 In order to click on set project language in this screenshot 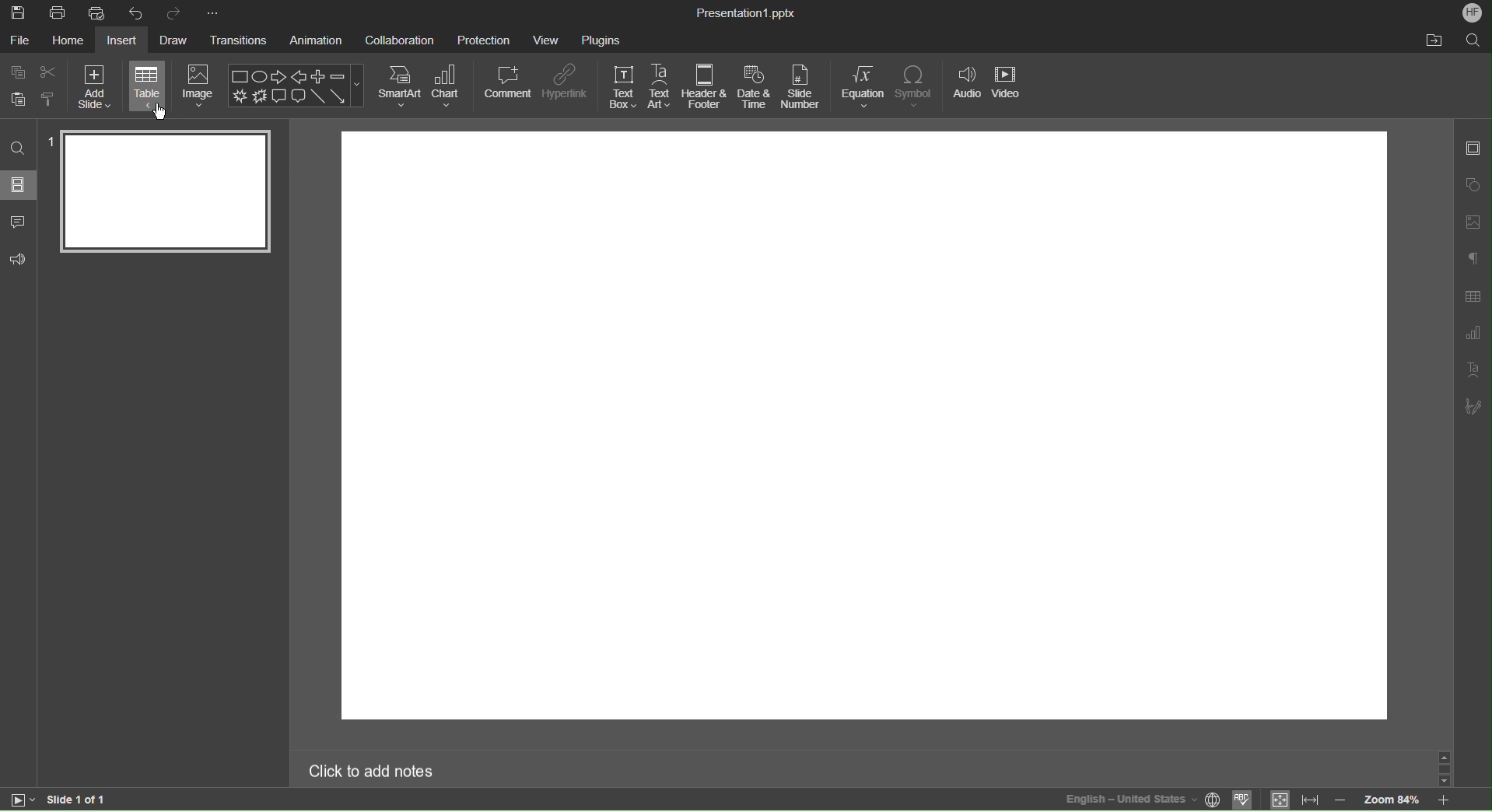, I will do `click(1214, 798)`.